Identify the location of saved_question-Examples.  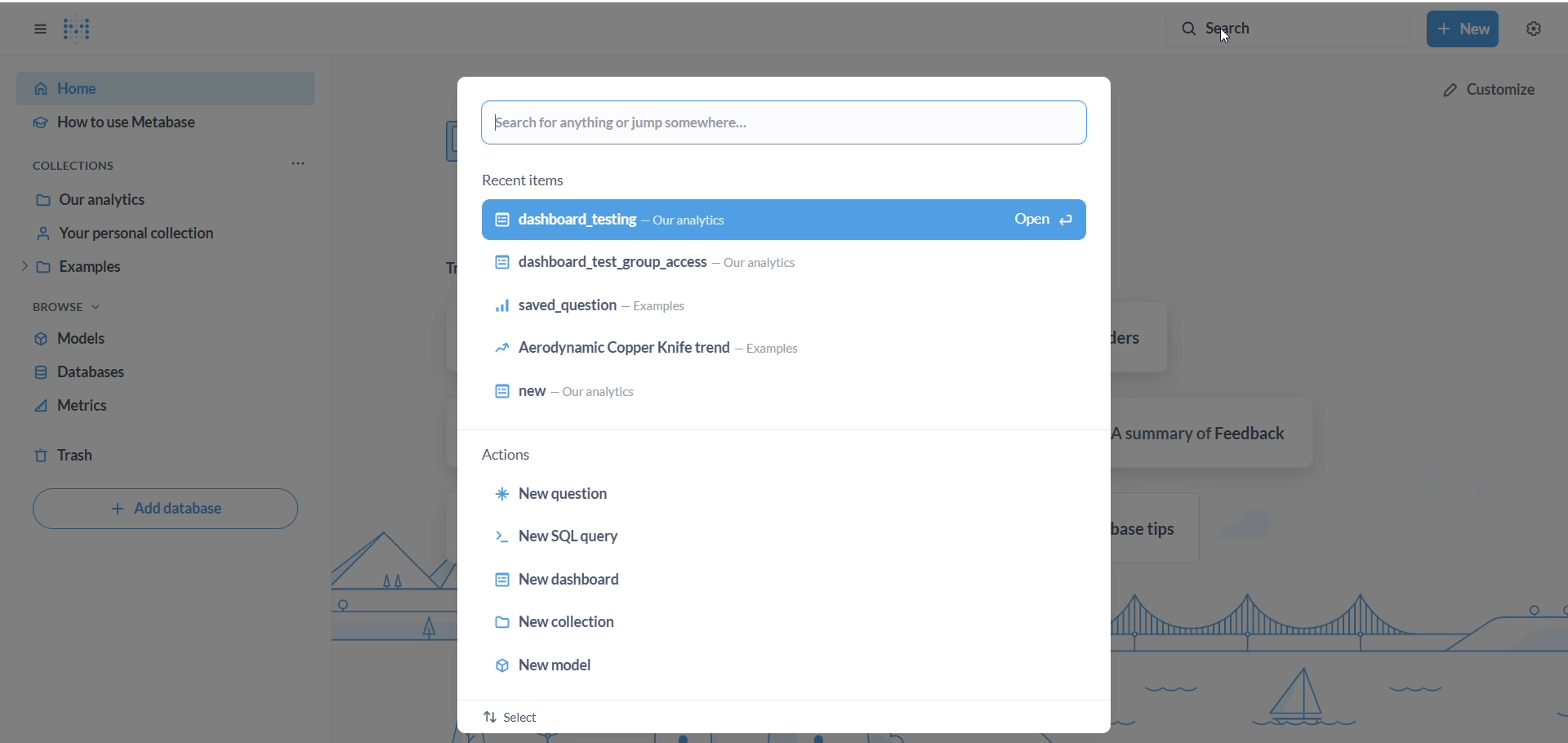
(771, 311).